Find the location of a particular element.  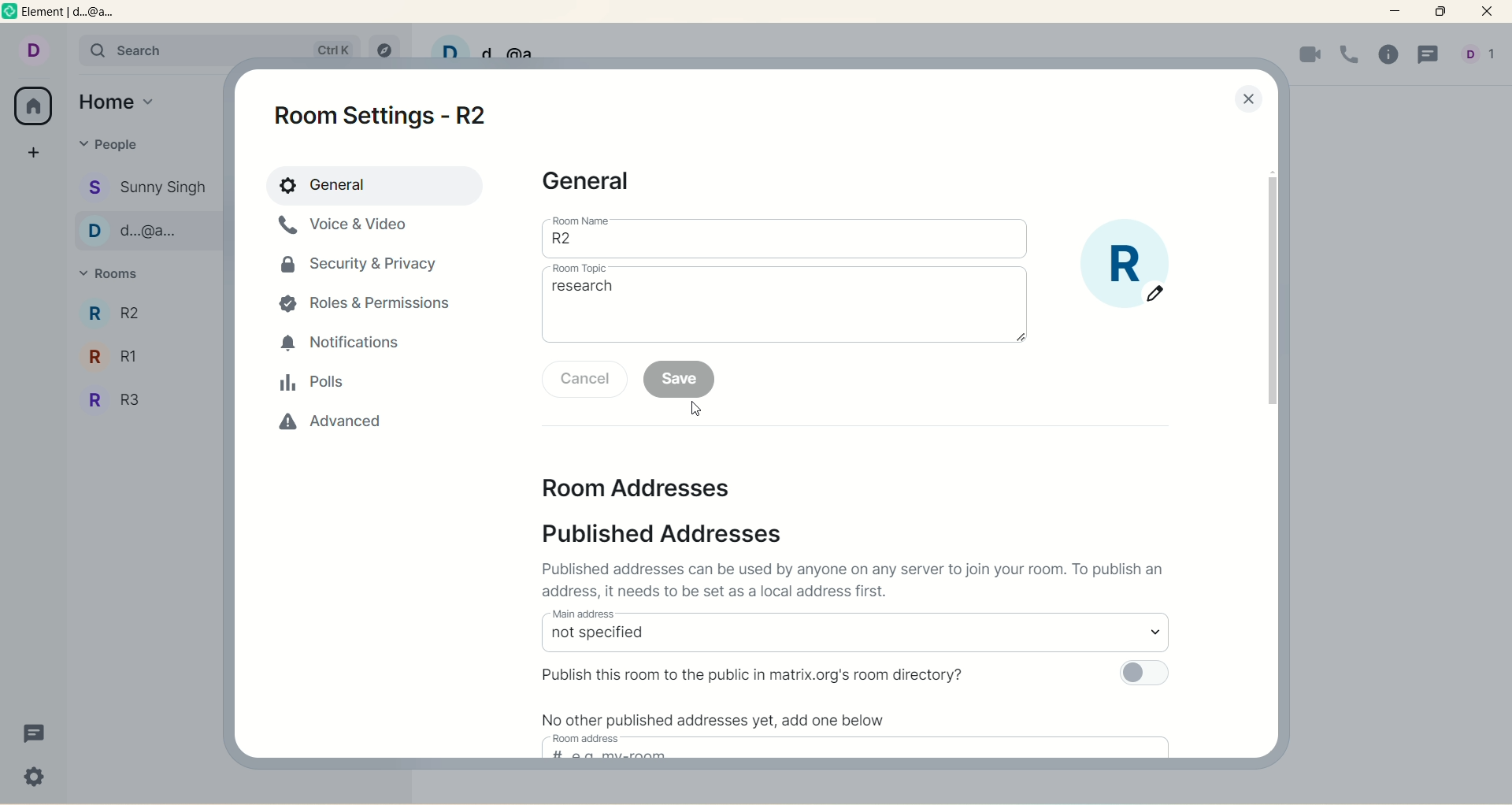

element is located at coordinates (81, 14).